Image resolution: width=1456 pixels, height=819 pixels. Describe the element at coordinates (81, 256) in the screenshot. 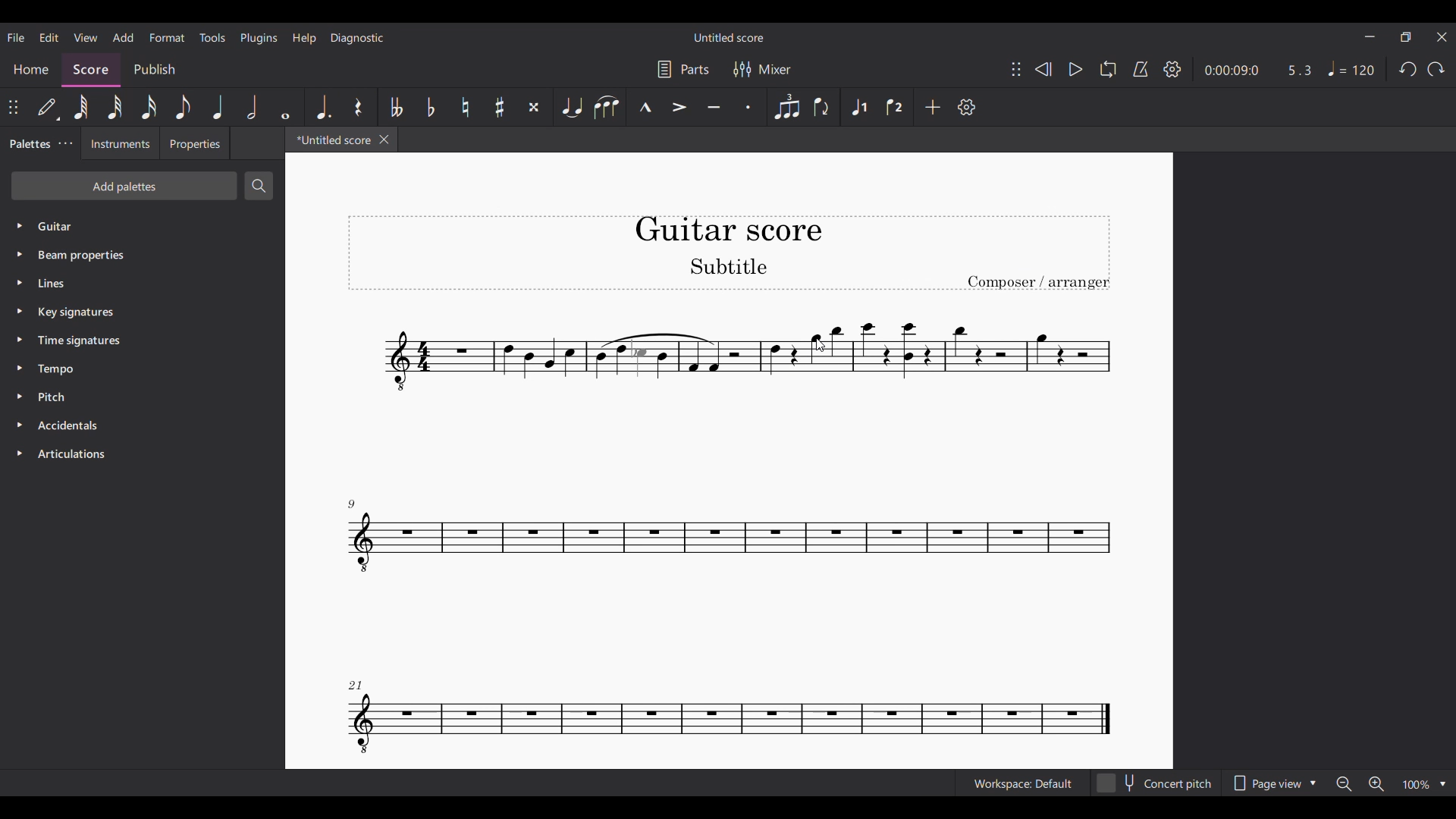

I see `Beam properties palette` at that location.